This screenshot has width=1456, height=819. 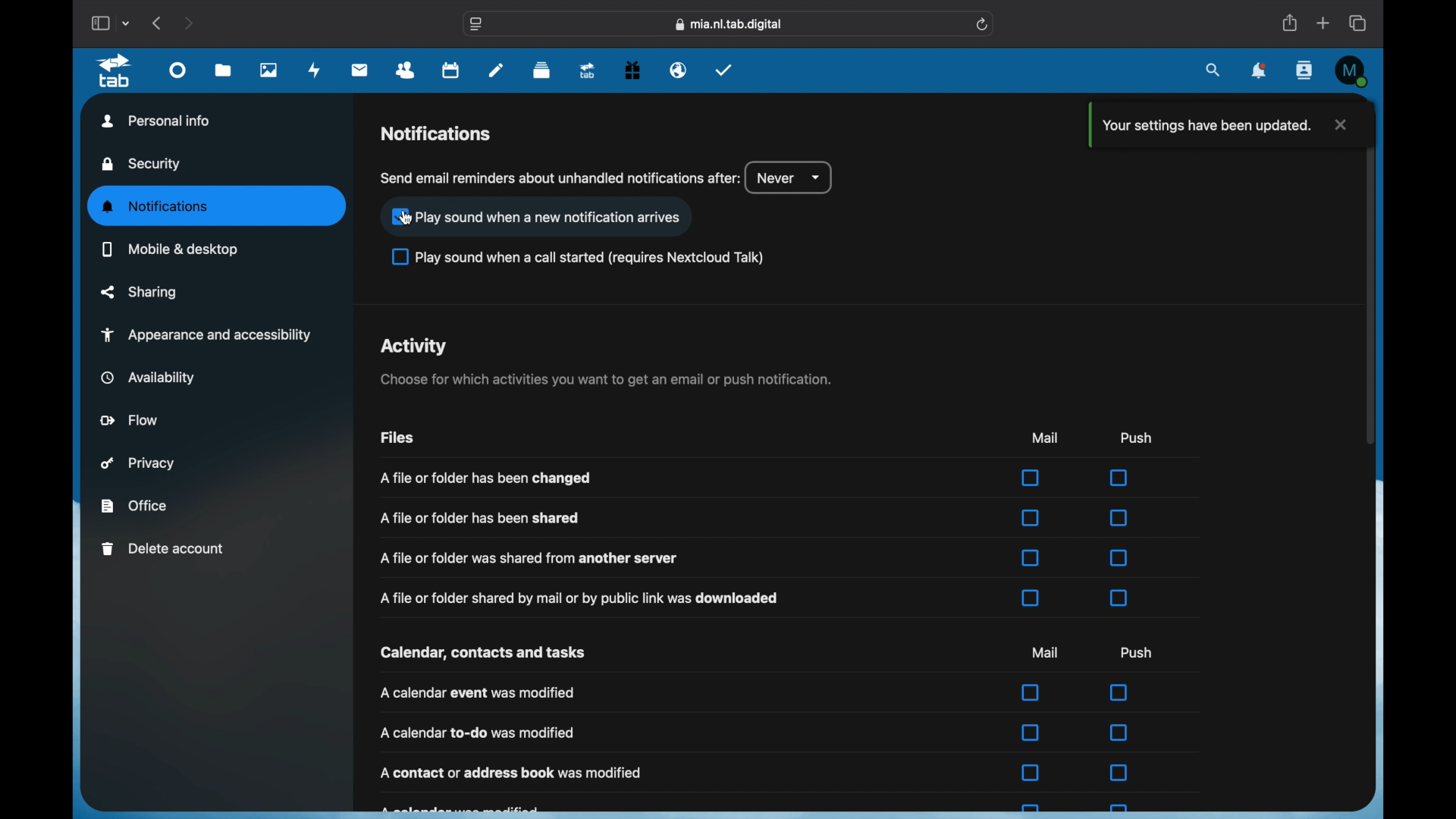 What do you see at coordinates (140, 463) in the screenshot?
I see `privacy` at bounding box center [140, 463].